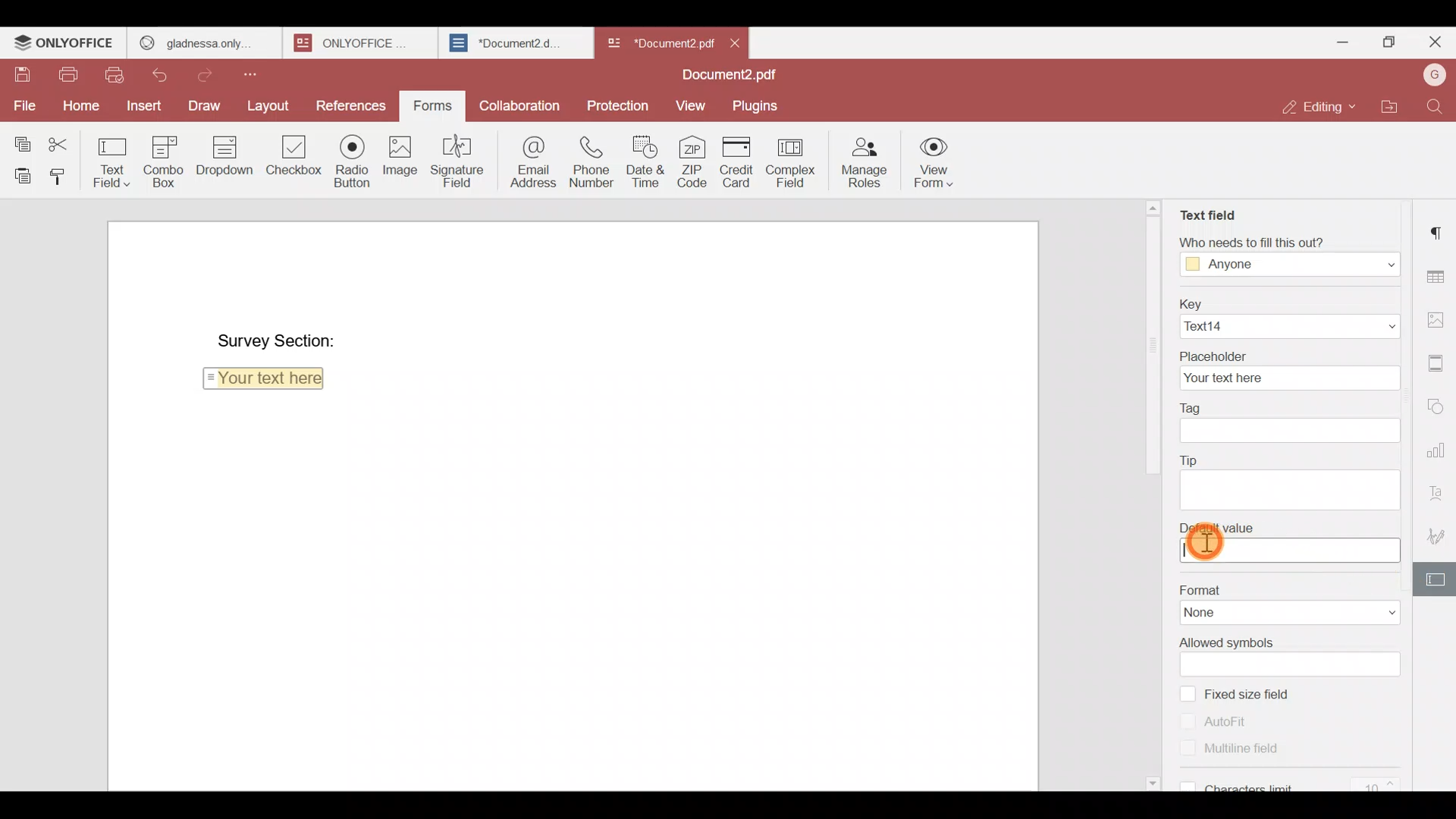 This screenshot has width=1456, height=819. What do you see at coordinates (1284, 301) in the screenshot?
I see `Key` at bounding box center [1284, 301].